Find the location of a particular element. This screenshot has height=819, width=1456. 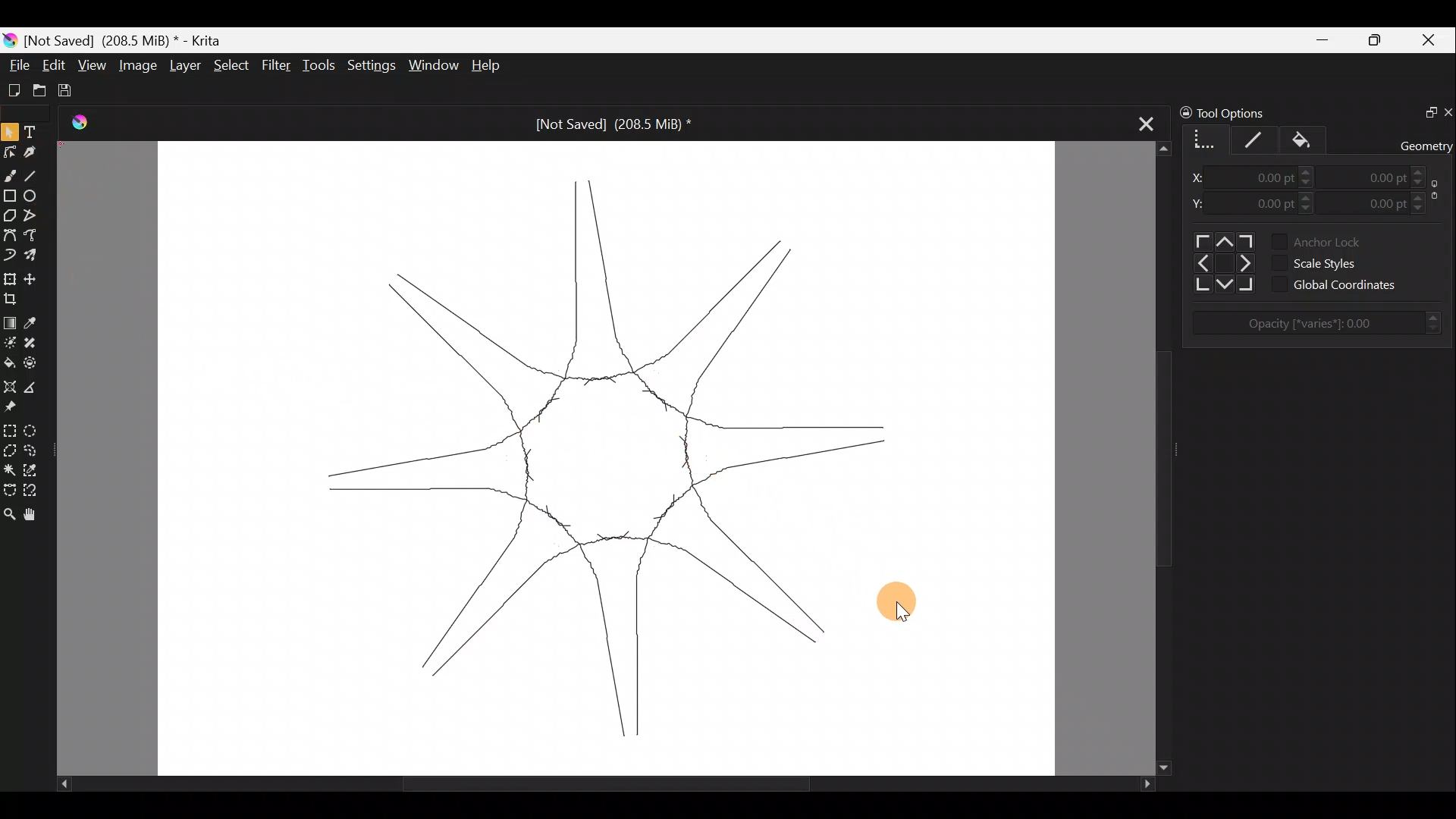

Image is located at coordinates (136, 64).